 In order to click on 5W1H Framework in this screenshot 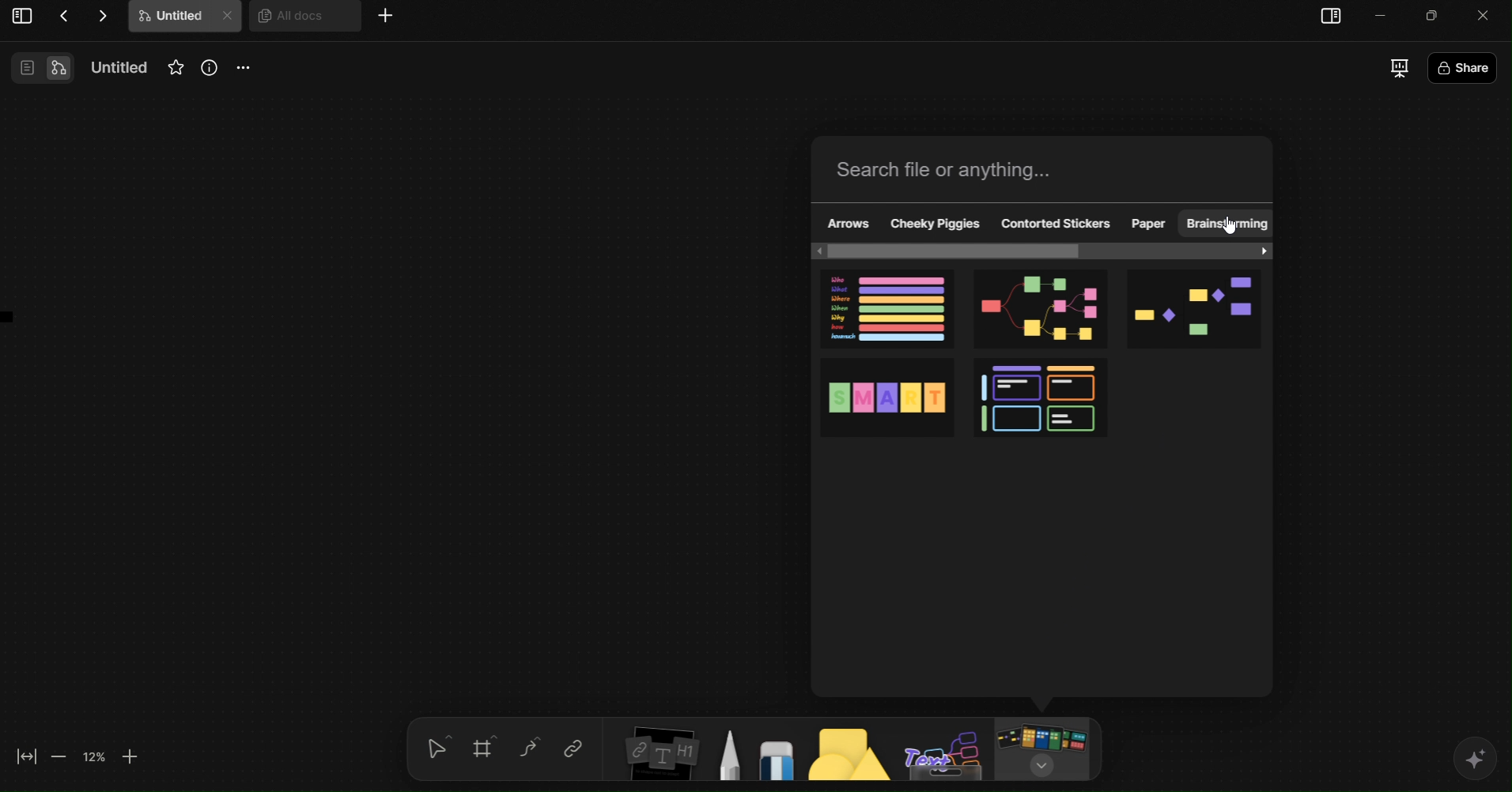, I will do `click(890, 308)`.